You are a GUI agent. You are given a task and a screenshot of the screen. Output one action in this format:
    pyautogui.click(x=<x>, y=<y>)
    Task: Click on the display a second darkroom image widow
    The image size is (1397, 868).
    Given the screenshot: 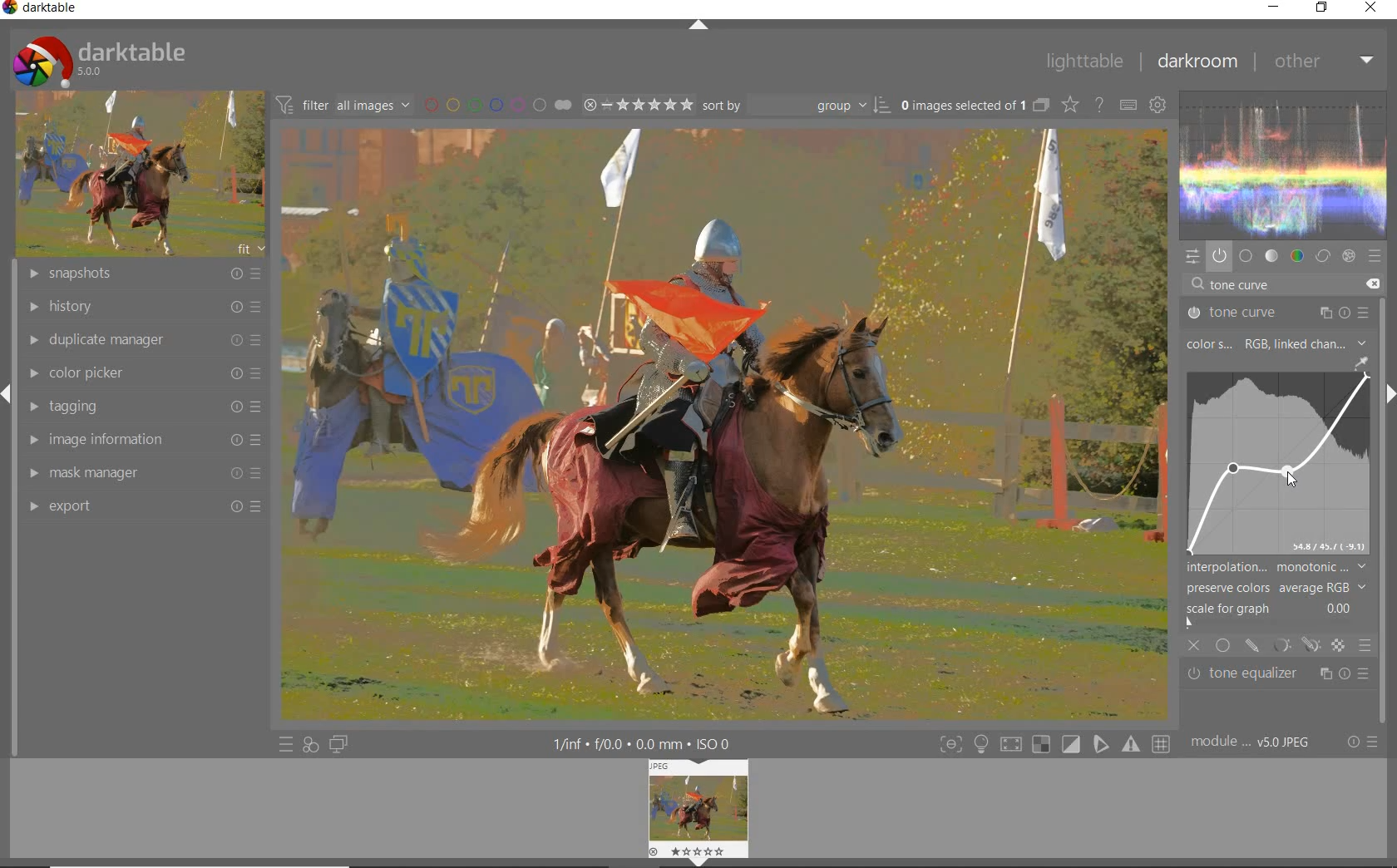 What is the action you would take?
    pyautogui.click(x=339, y=743)
    